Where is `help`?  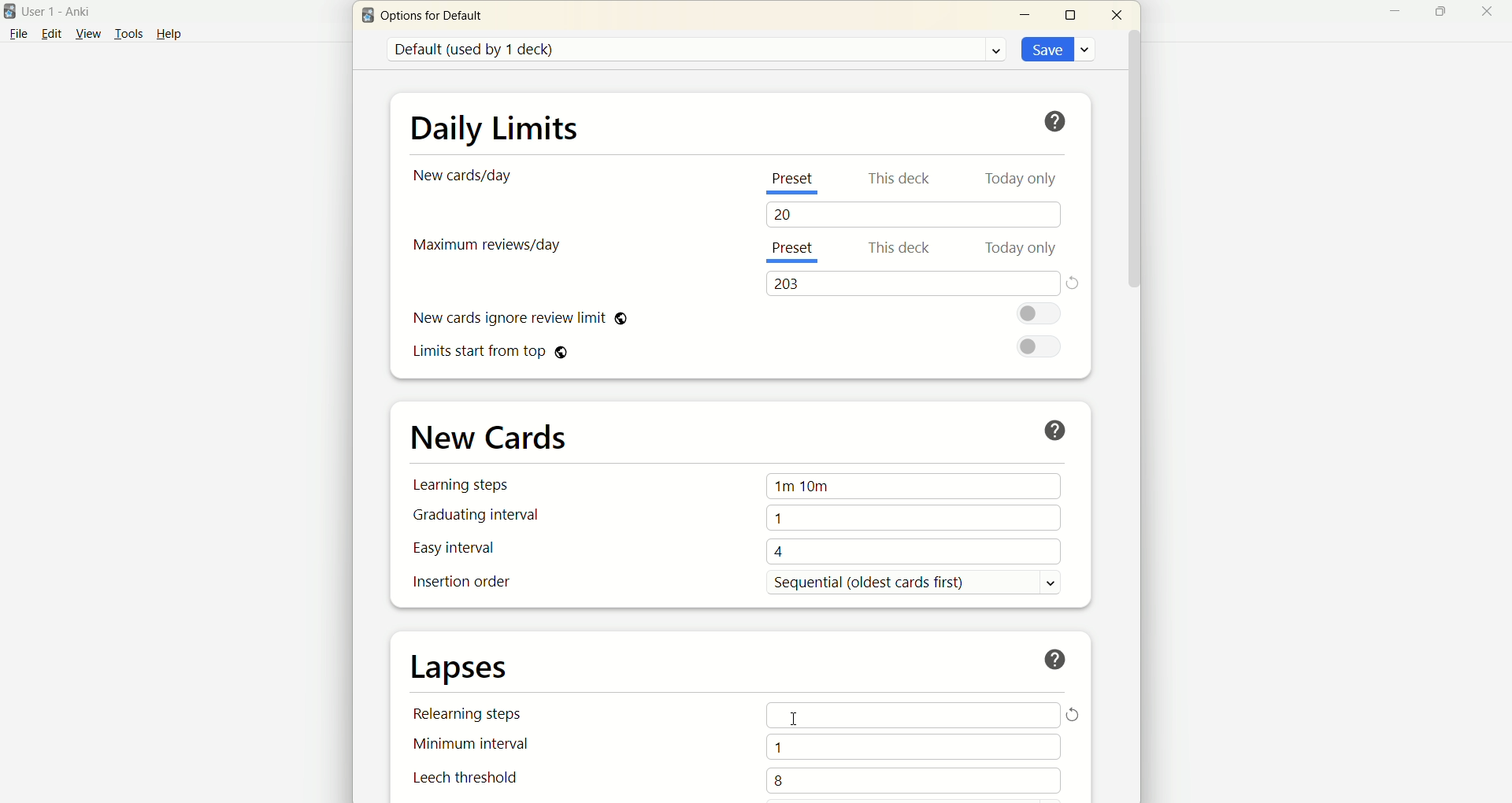 help is located at coordinates (1058, 659).